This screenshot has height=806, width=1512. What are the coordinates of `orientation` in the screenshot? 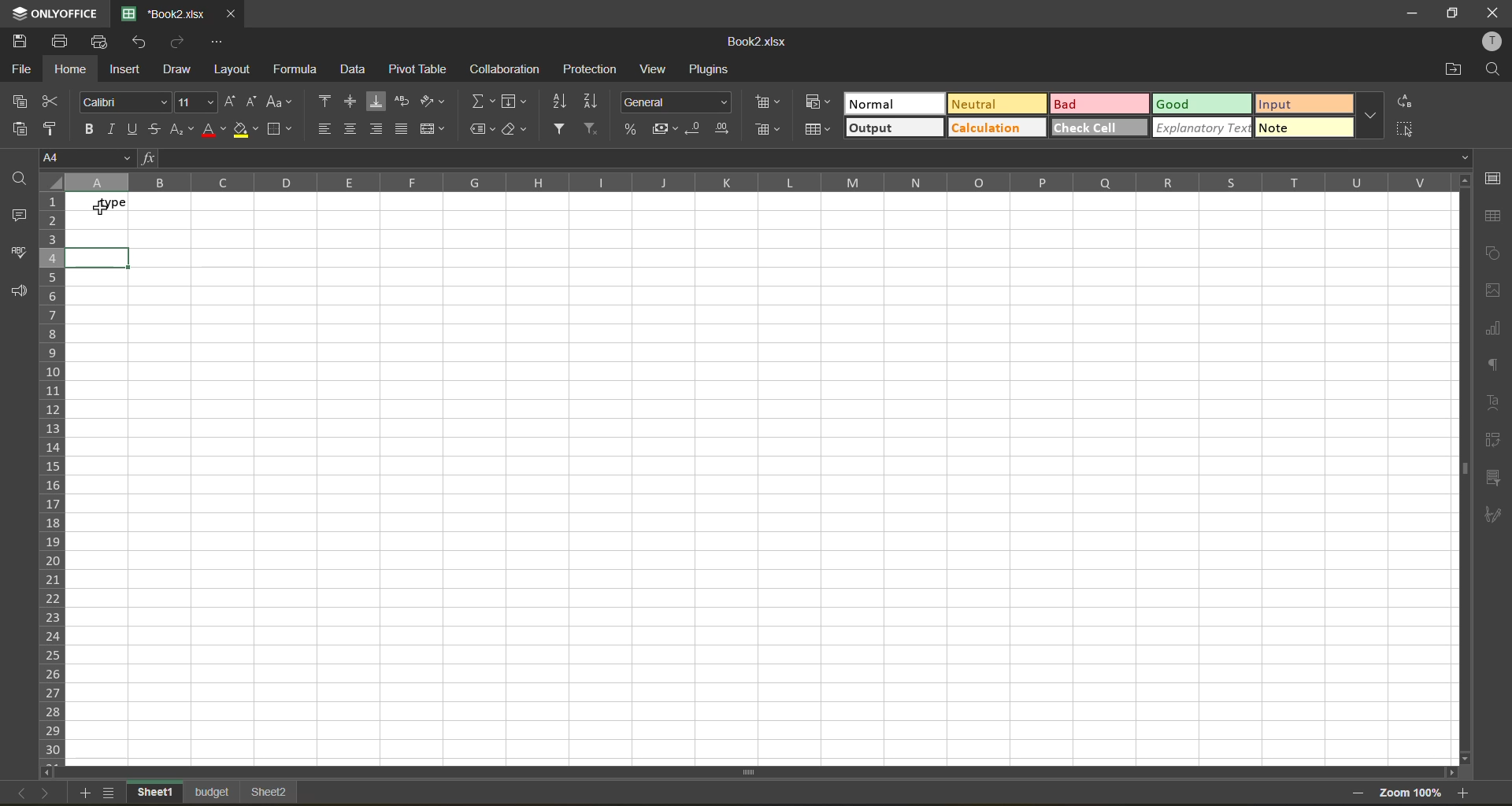 It's located at (431, 102).